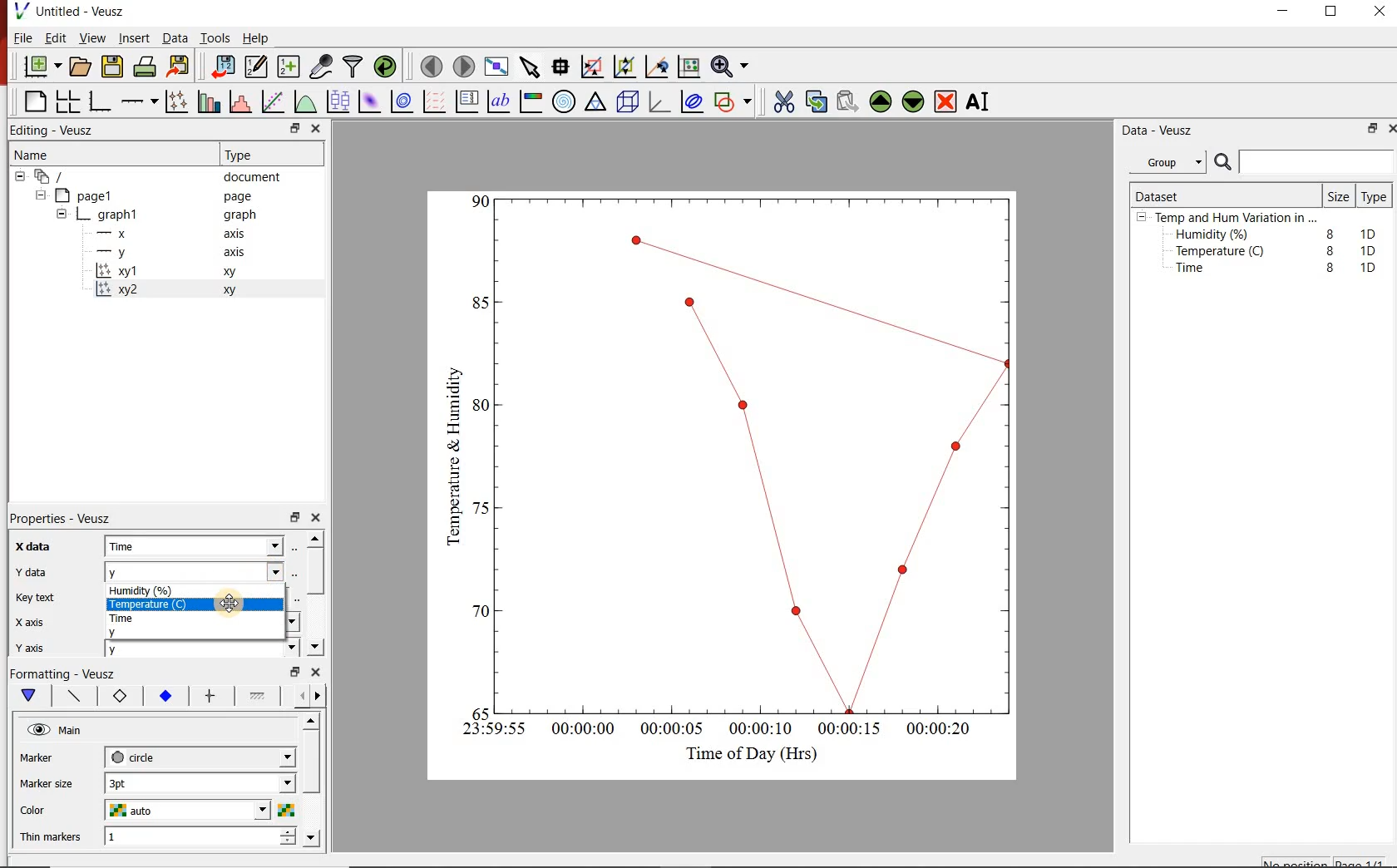 This screenshot has height=868, width=1397. I want to click on plot bar charts, so click(210, 99).